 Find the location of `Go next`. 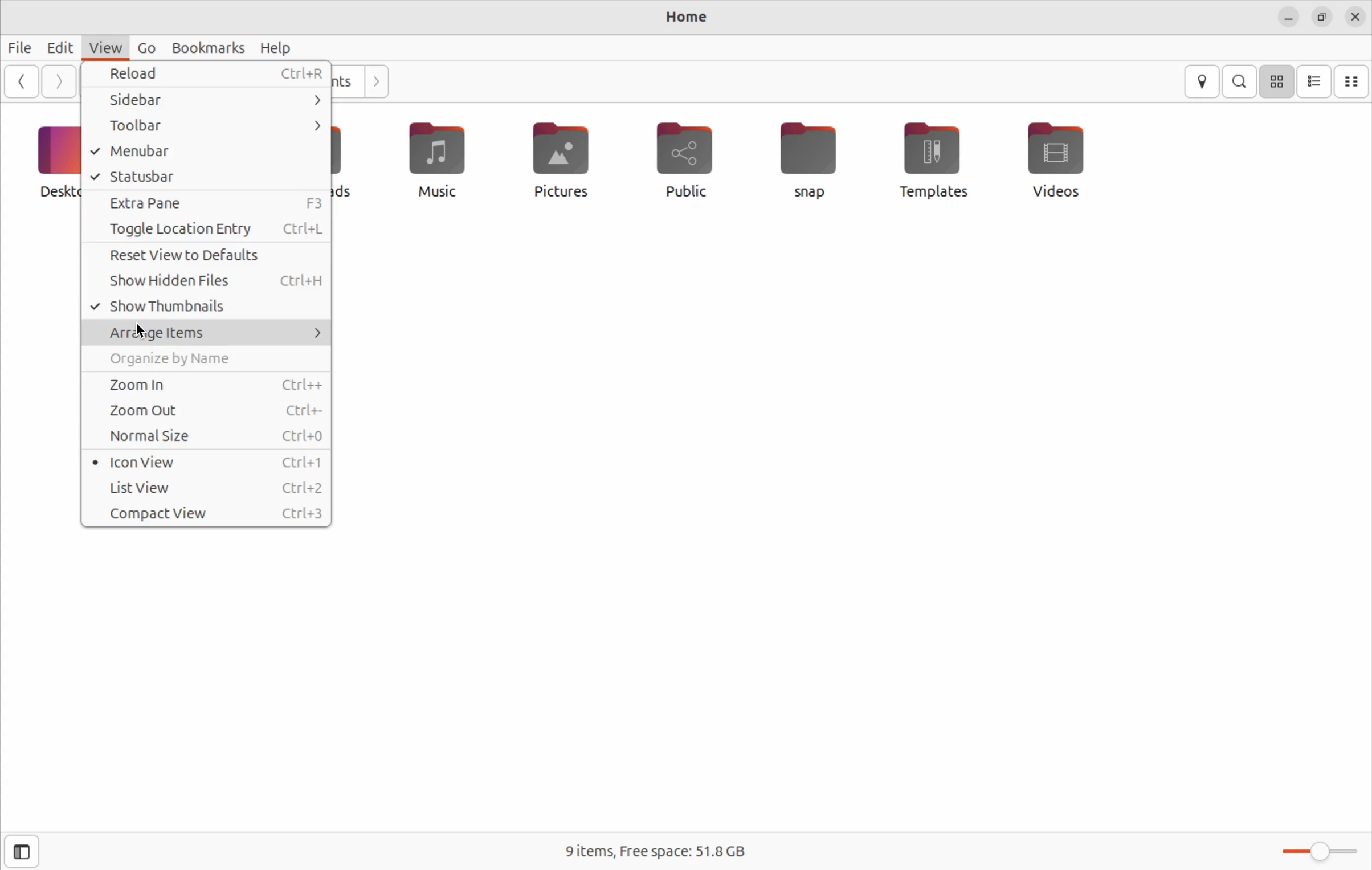

Go next is located at coordinates (59, 82).